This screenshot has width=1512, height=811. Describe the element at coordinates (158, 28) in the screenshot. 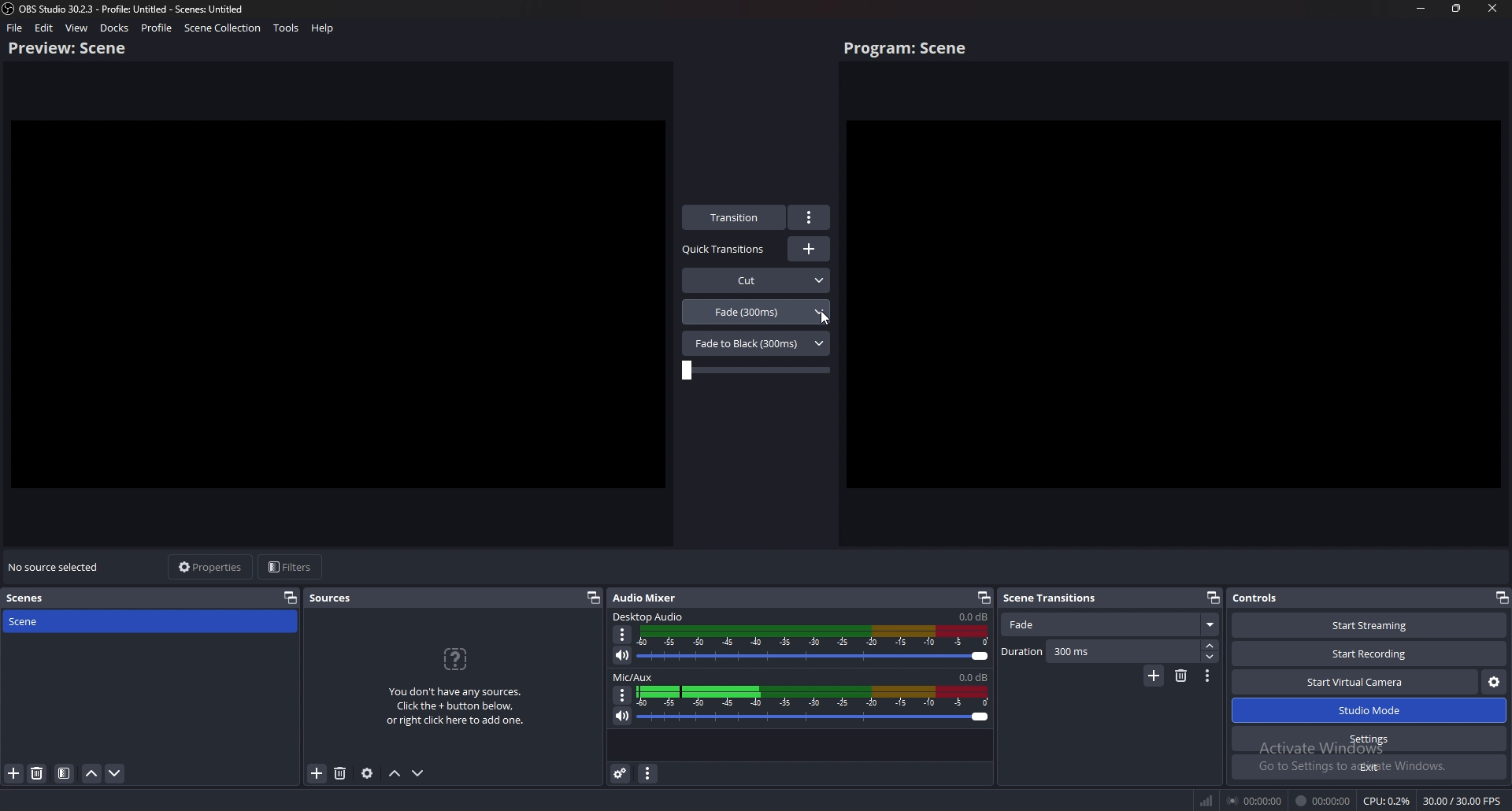

I see `profile` at that location.